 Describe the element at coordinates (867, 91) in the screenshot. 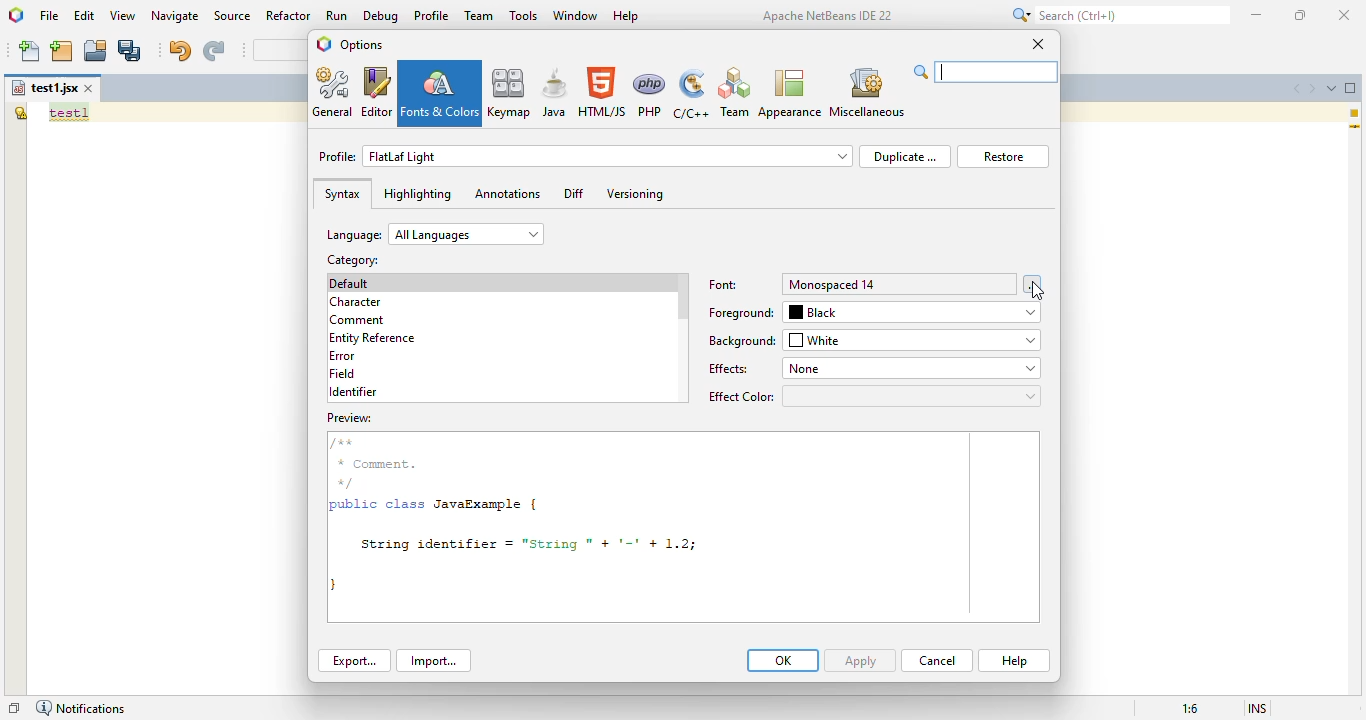

I see `miscellaneous` at that location.